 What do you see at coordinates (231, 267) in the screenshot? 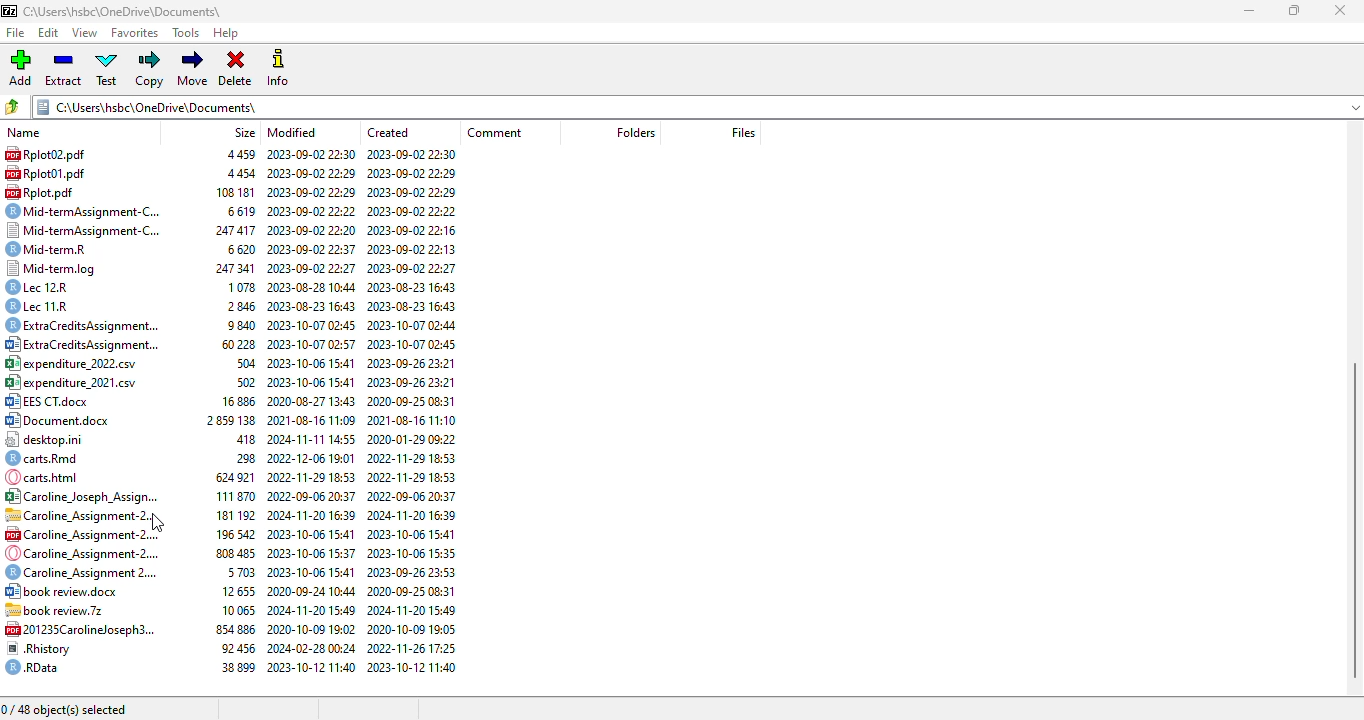
I see `247 341` at bounding box center [231, 267].